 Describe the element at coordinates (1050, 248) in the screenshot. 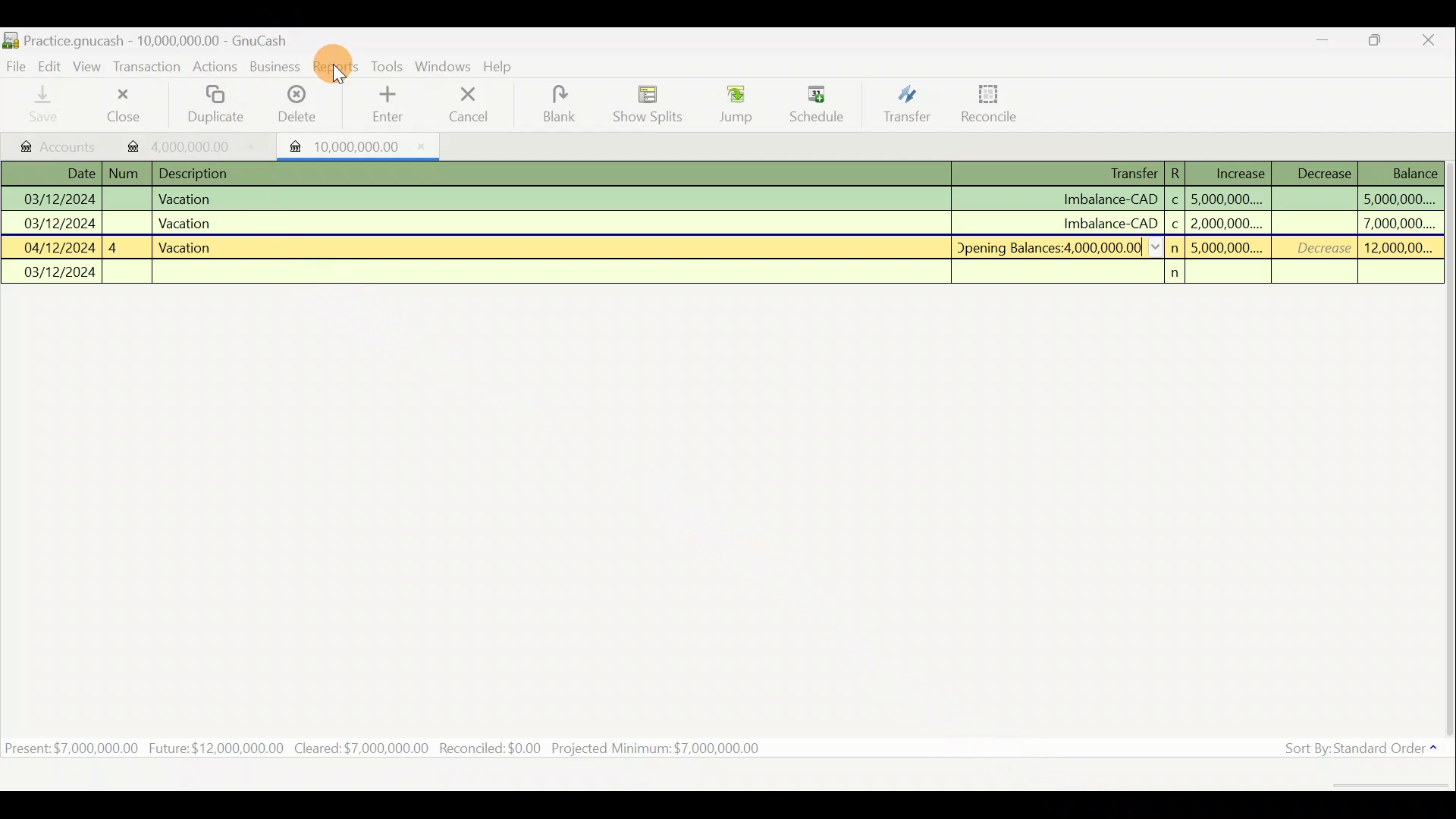

I see `Opening Balances:4 000 000.00` at that location.